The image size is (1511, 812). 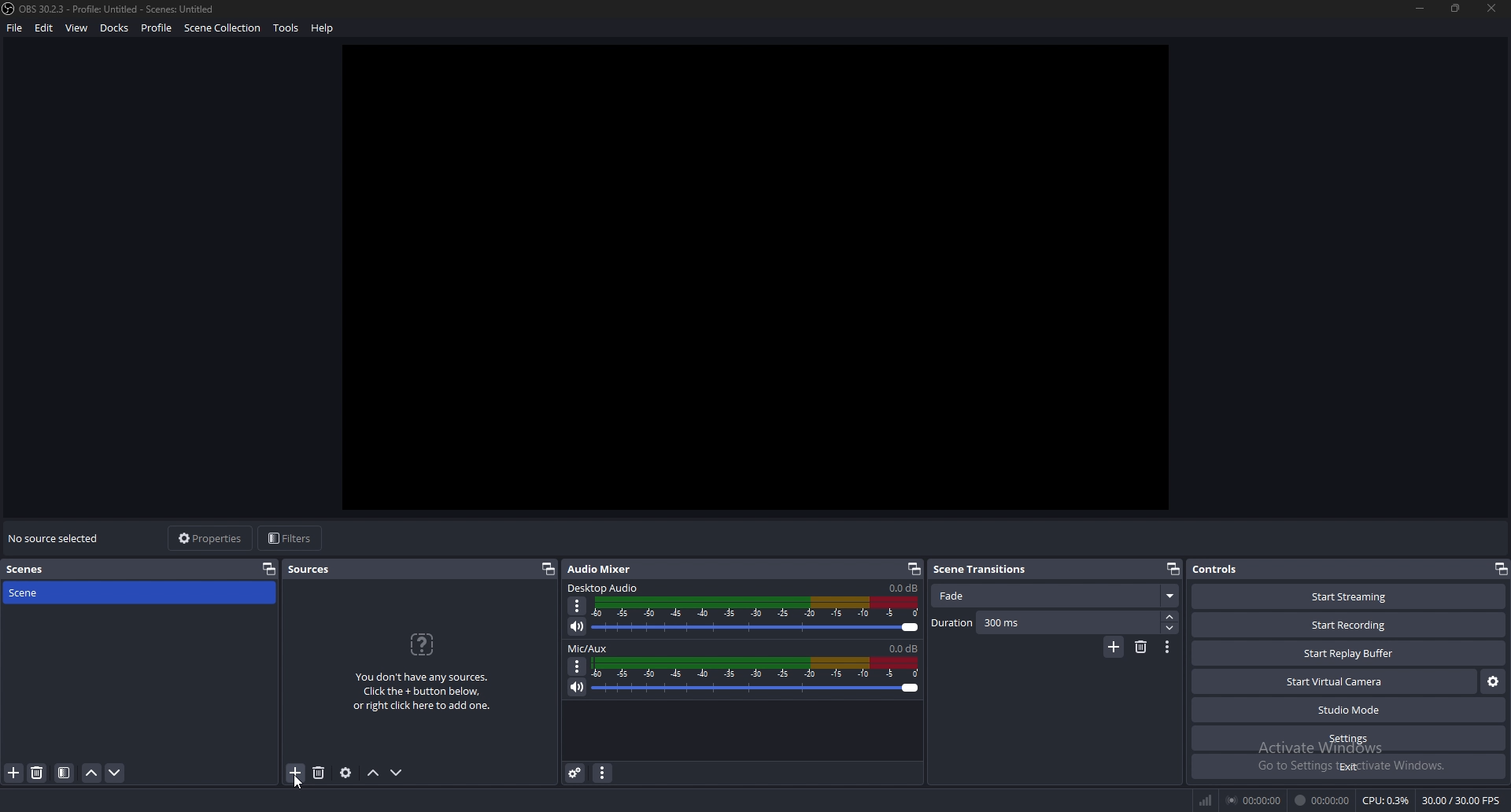 I want to click on tools, so click(x=287, y=28).